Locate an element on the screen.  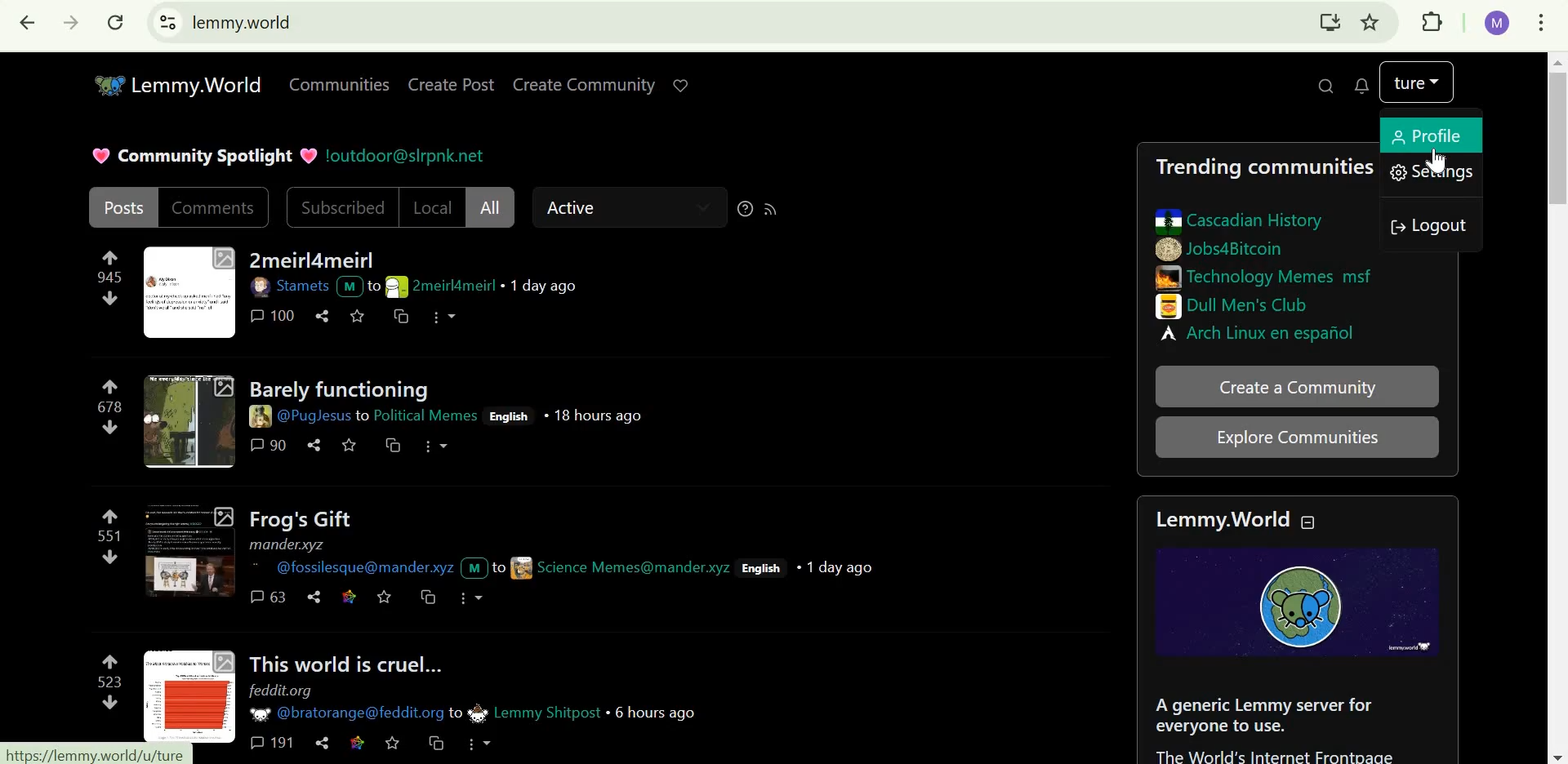
cross-post is located at coordinates (393, 447).